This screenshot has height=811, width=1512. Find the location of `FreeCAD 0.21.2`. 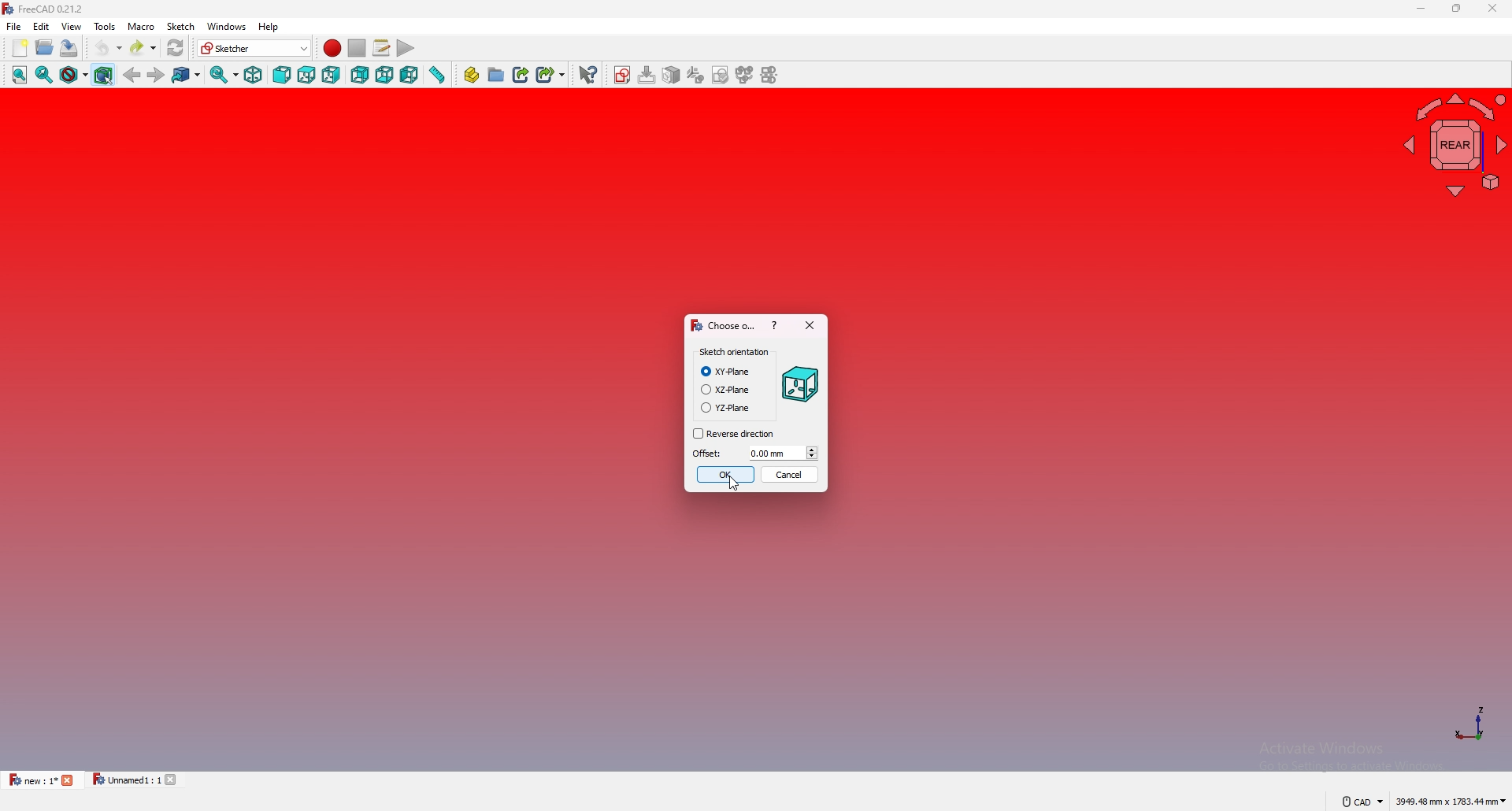

FreeCAD 0.21.2 is located at coordinates (45, 9).